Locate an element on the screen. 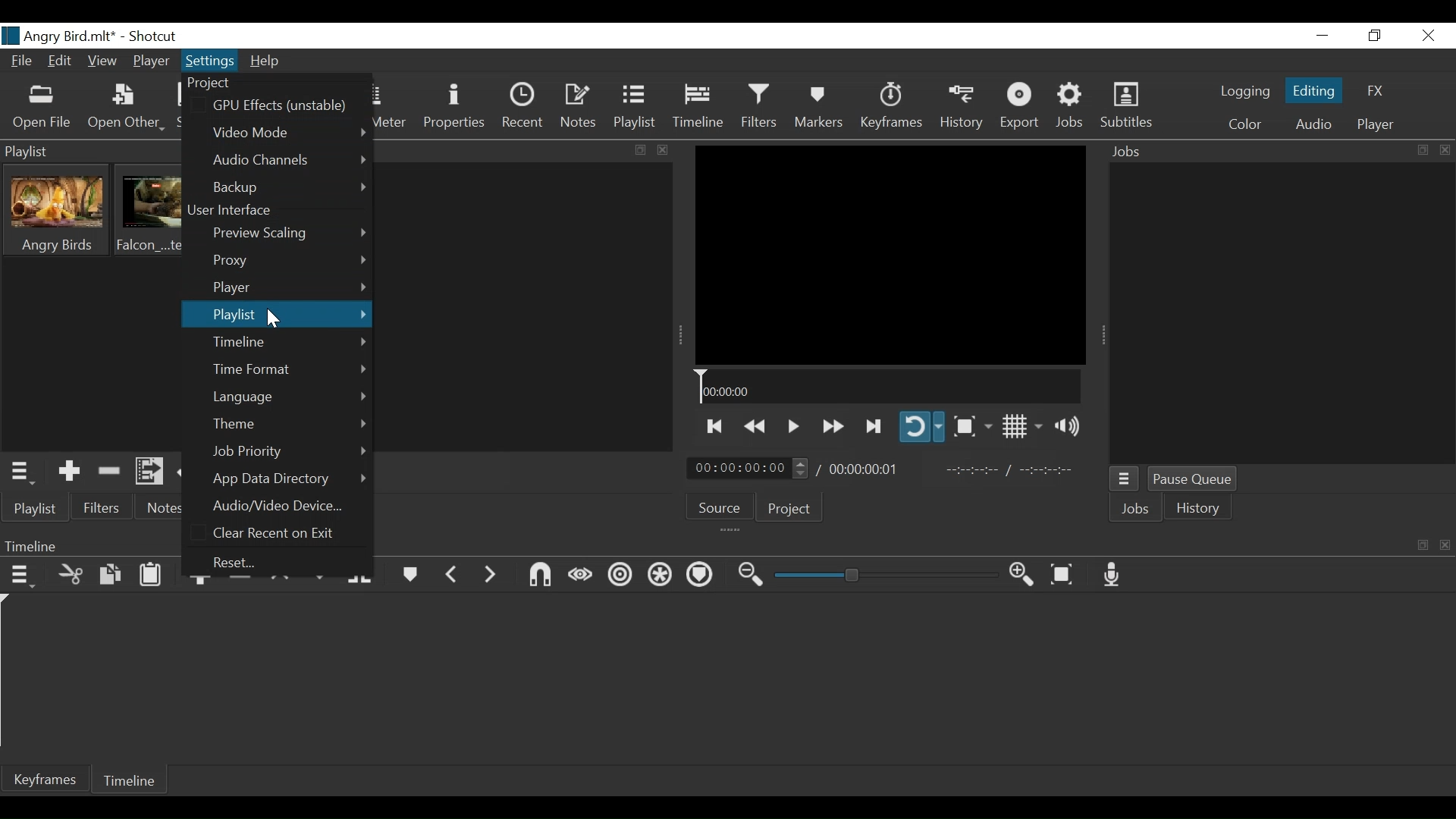 The image size is (1456, 819). Previous Scaling is located at coordinates (289, 235).